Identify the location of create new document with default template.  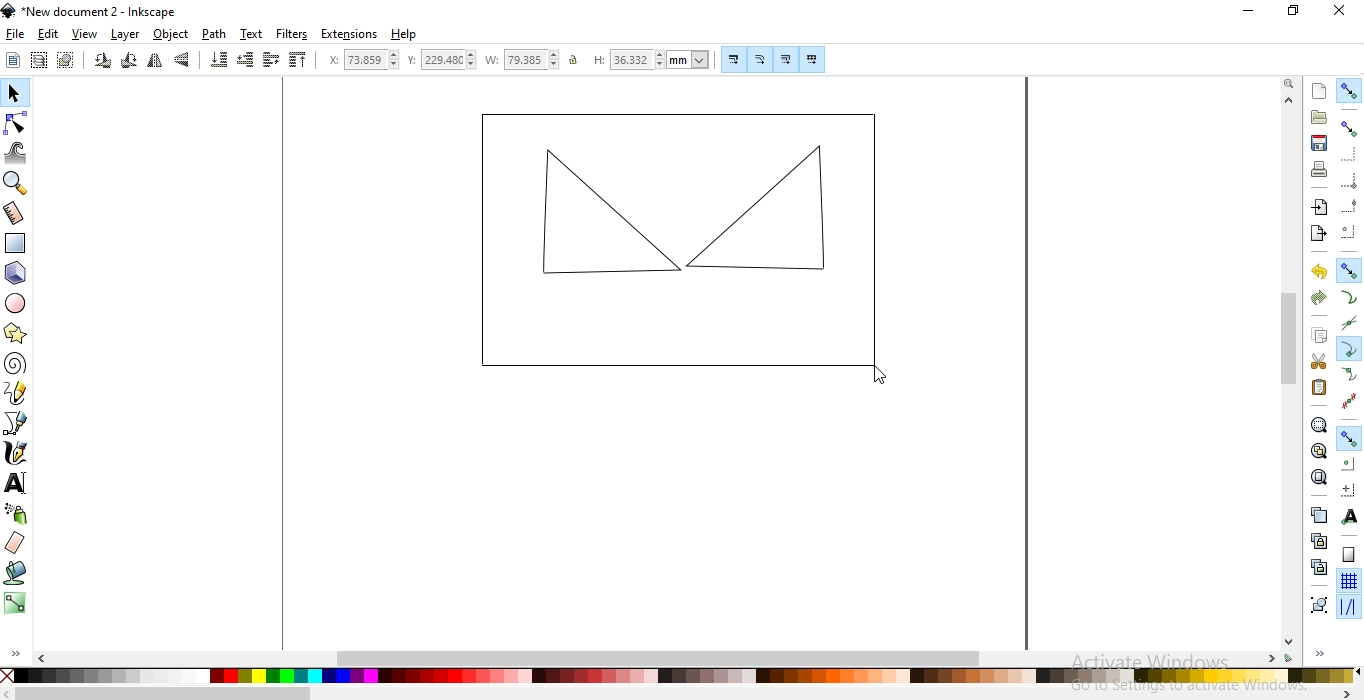
(1320, 91).